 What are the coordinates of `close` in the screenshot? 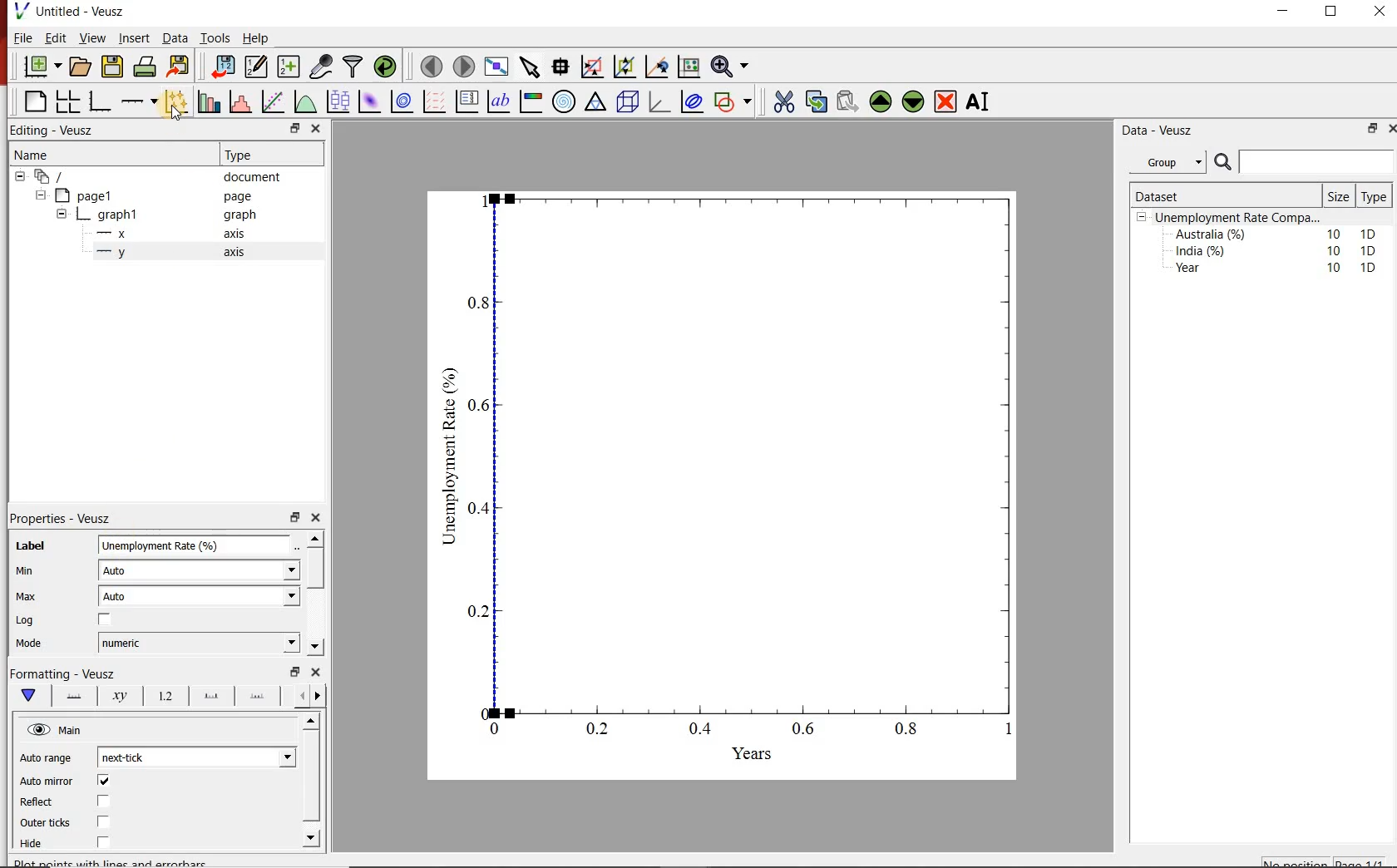 It's located at (1378, 15).